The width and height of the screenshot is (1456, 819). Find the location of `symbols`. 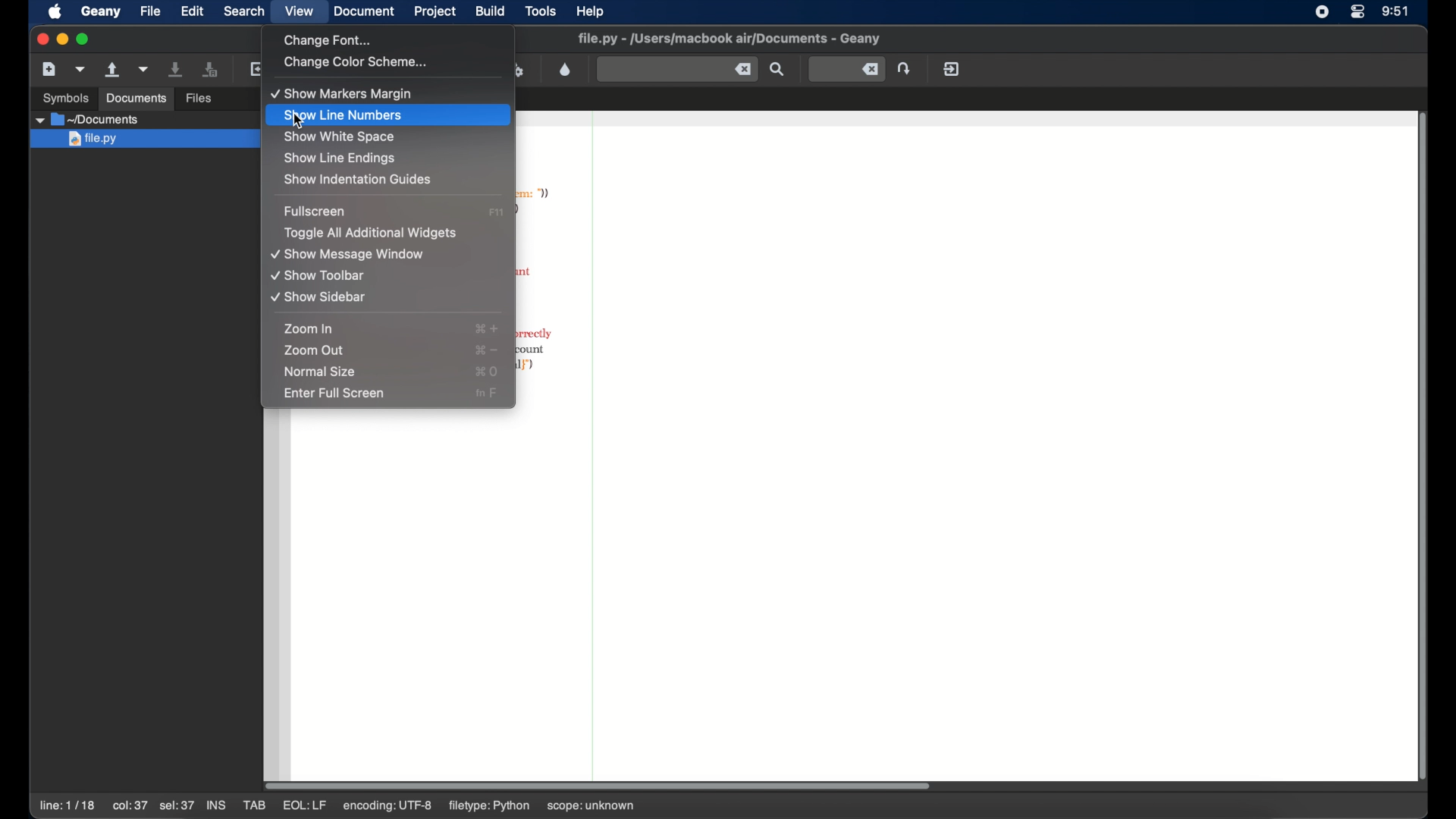

symbols is located at coordinates (65, 99).